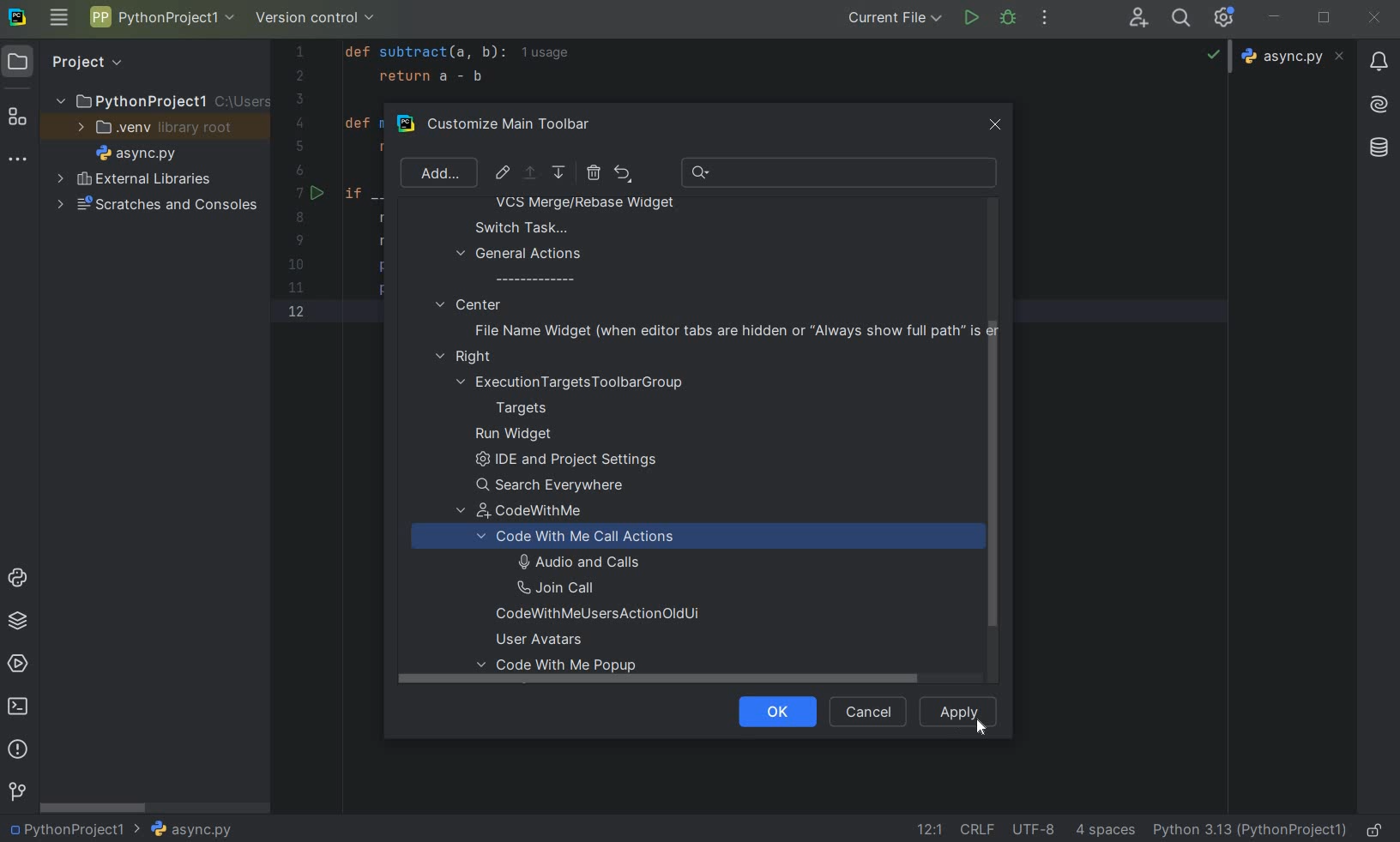 Image resolution: width=1400 pixels, height=842 pixels. What do you see at coordinates (316, 21) in the screenshot?
I see `VERSION CONTROL` at bounding box center [316, 21].